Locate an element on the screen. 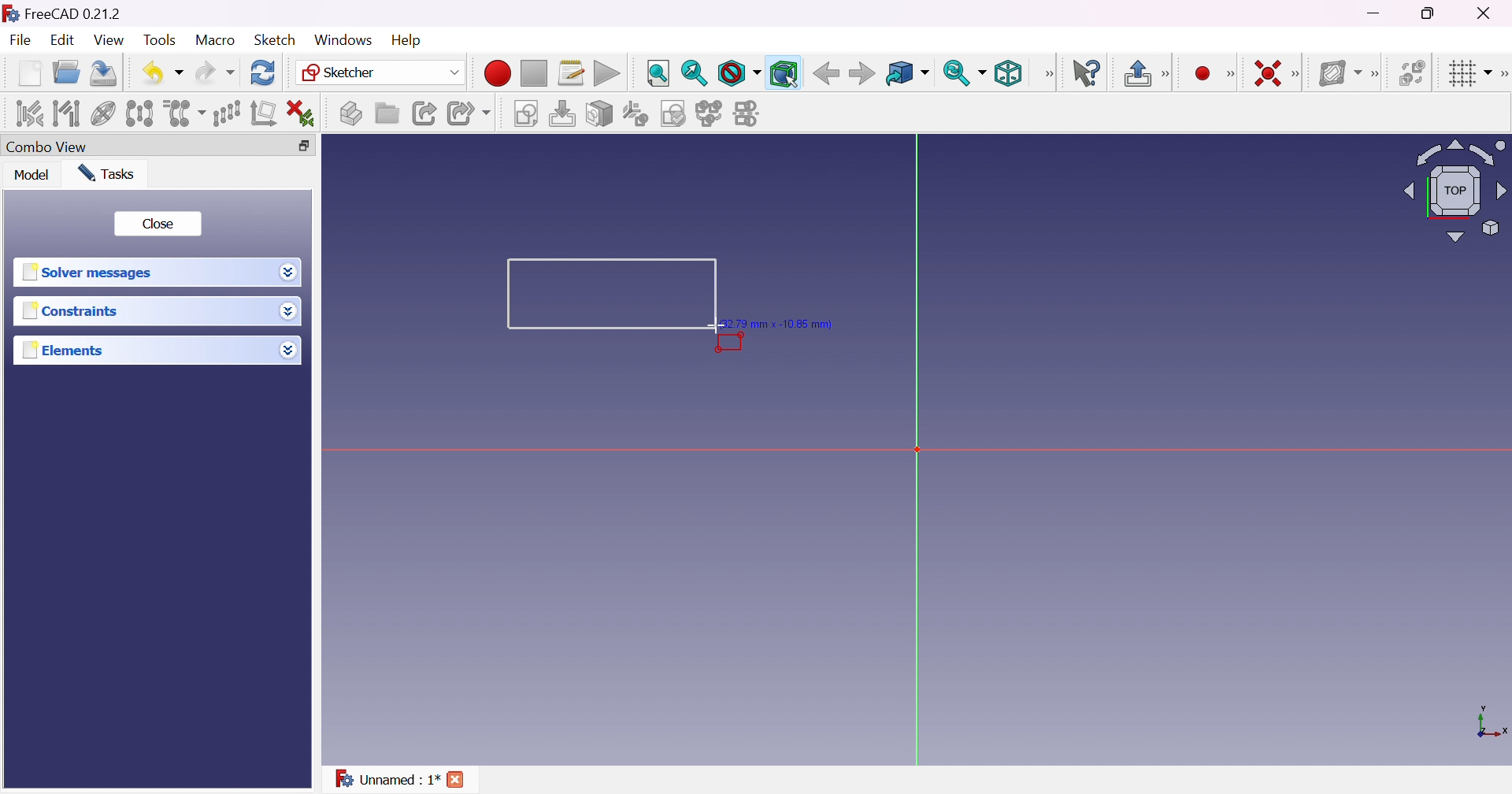 Image resolution: width=1512 pixels, height=794 pixels. [Sketcher edit mode] is located at coordinates (1168, 72).